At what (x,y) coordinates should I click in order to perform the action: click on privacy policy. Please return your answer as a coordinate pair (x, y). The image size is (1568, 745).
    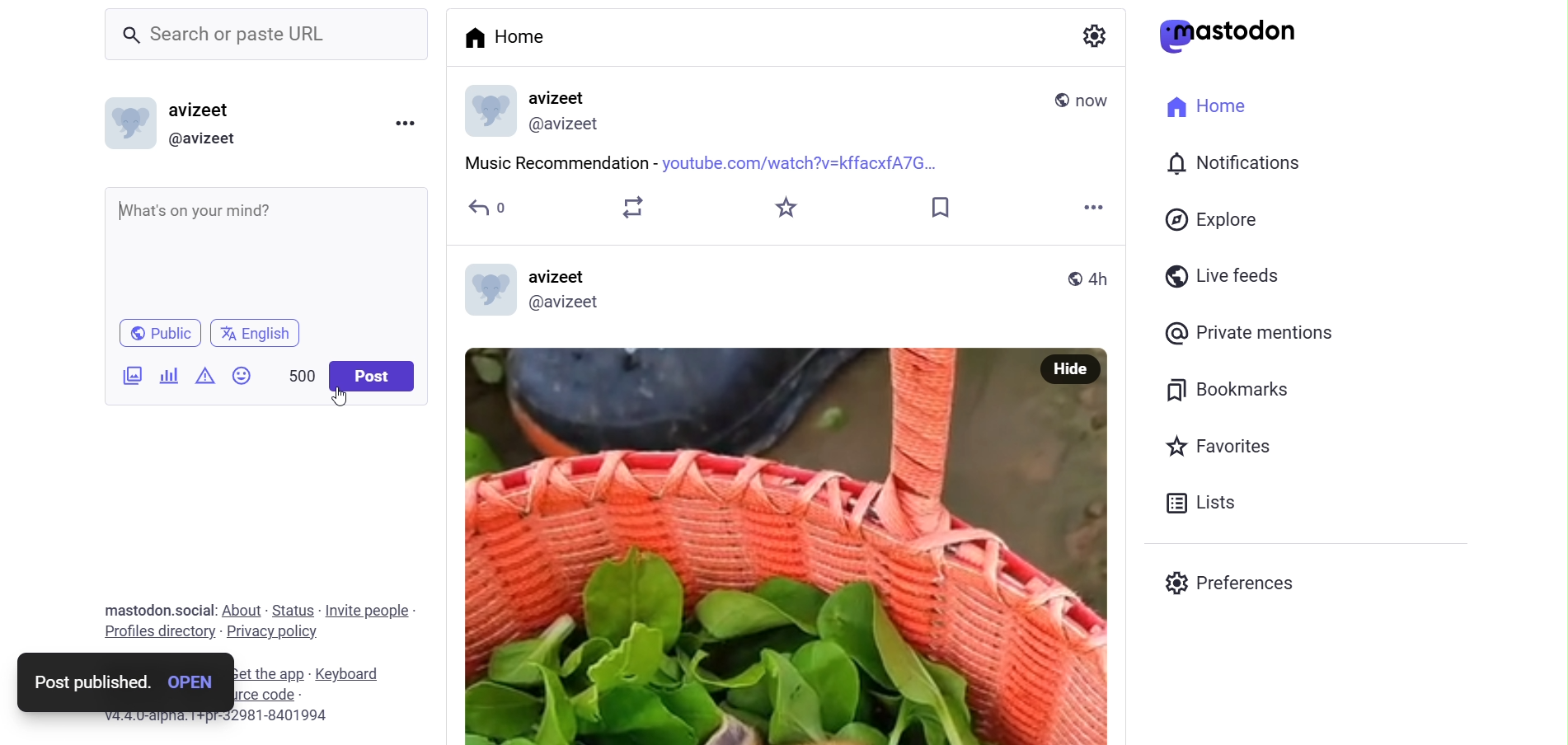
    Looking at the image, I should click on (272, 635).